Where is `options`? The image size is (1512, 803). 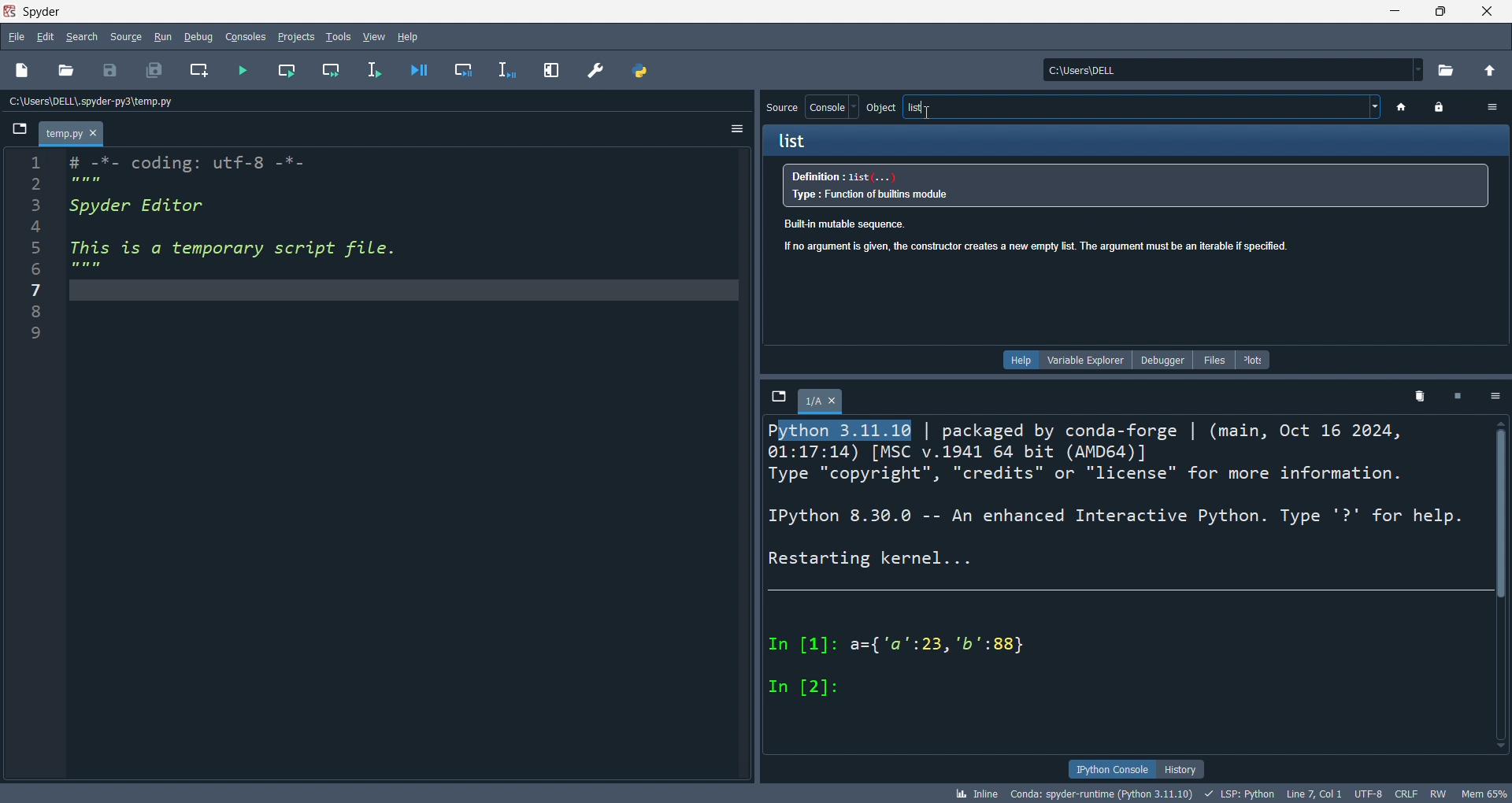
options is located at coordinates (1492, 395).